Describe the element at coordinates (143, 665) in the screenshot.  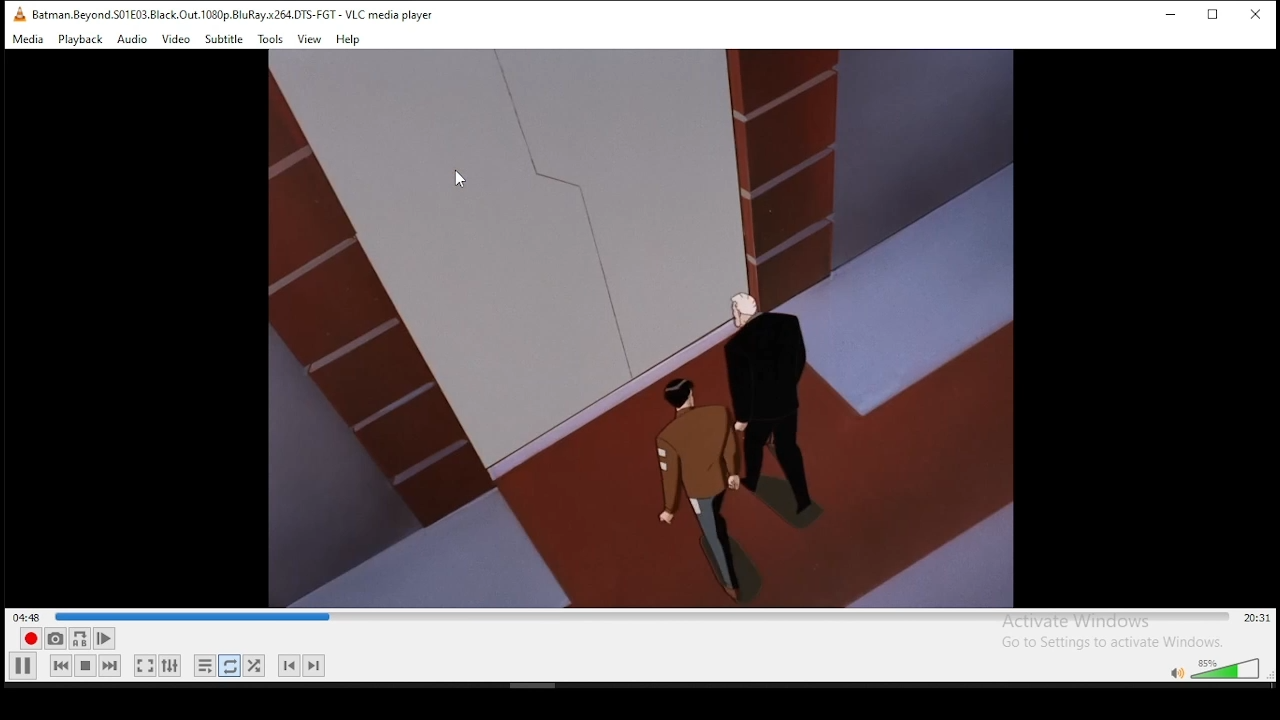
I see `full screen` at that location.